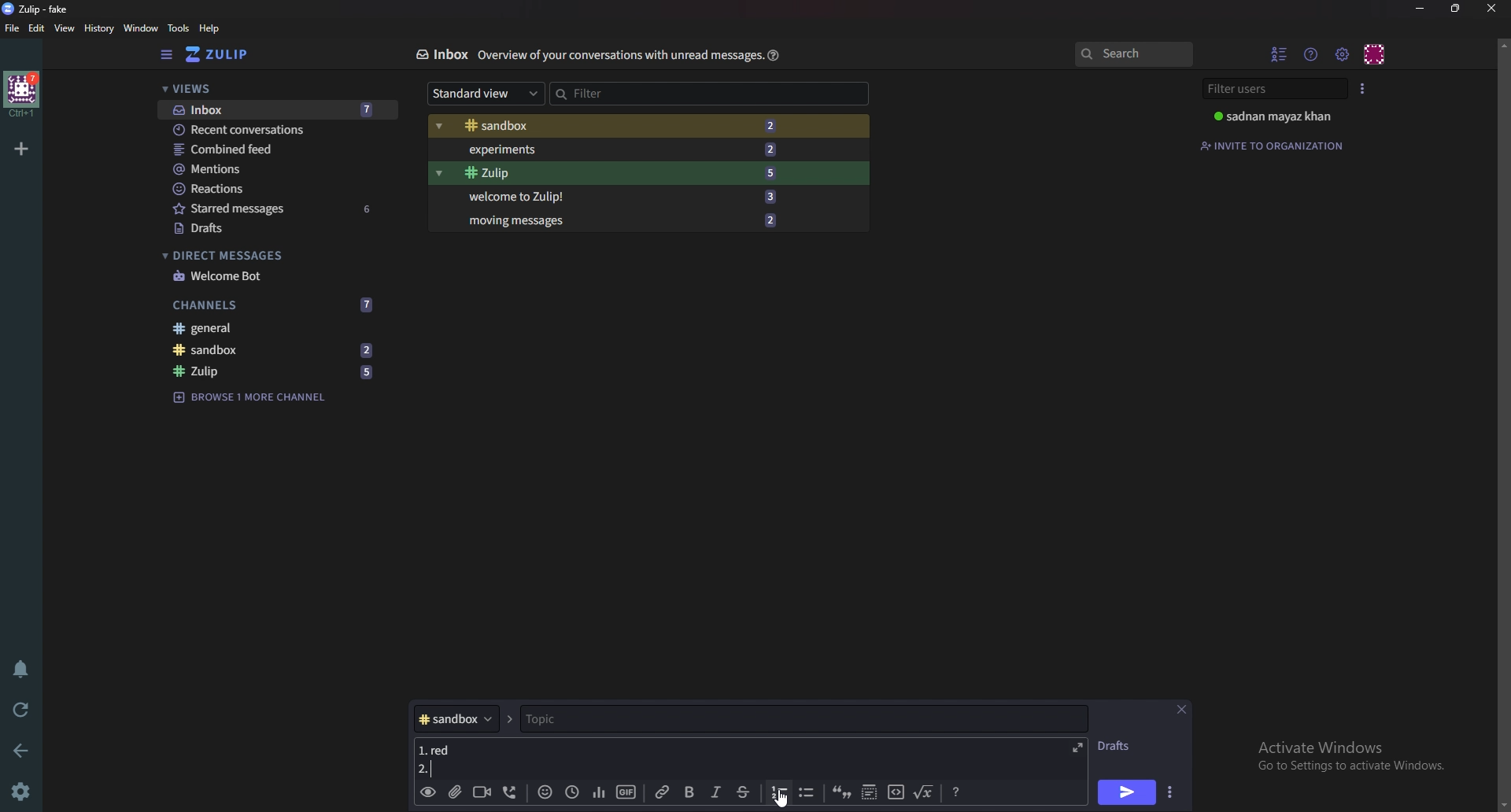  What do you see at coordinates (275, 209) in the screenshot?
I see `Starred messages` at bounding box center [275, 209].